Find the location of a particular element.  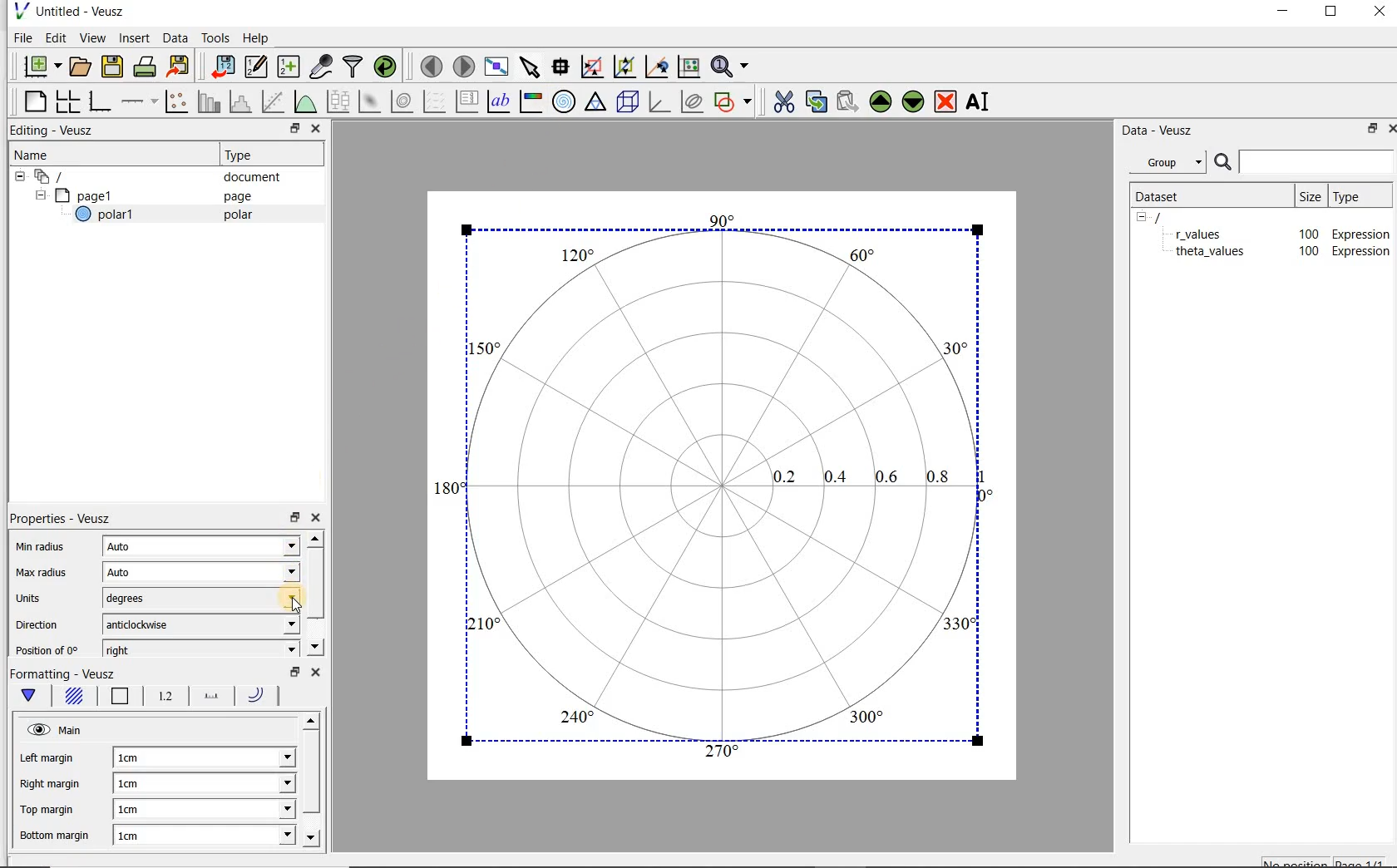

plot key is located at coordinates (468, 101).